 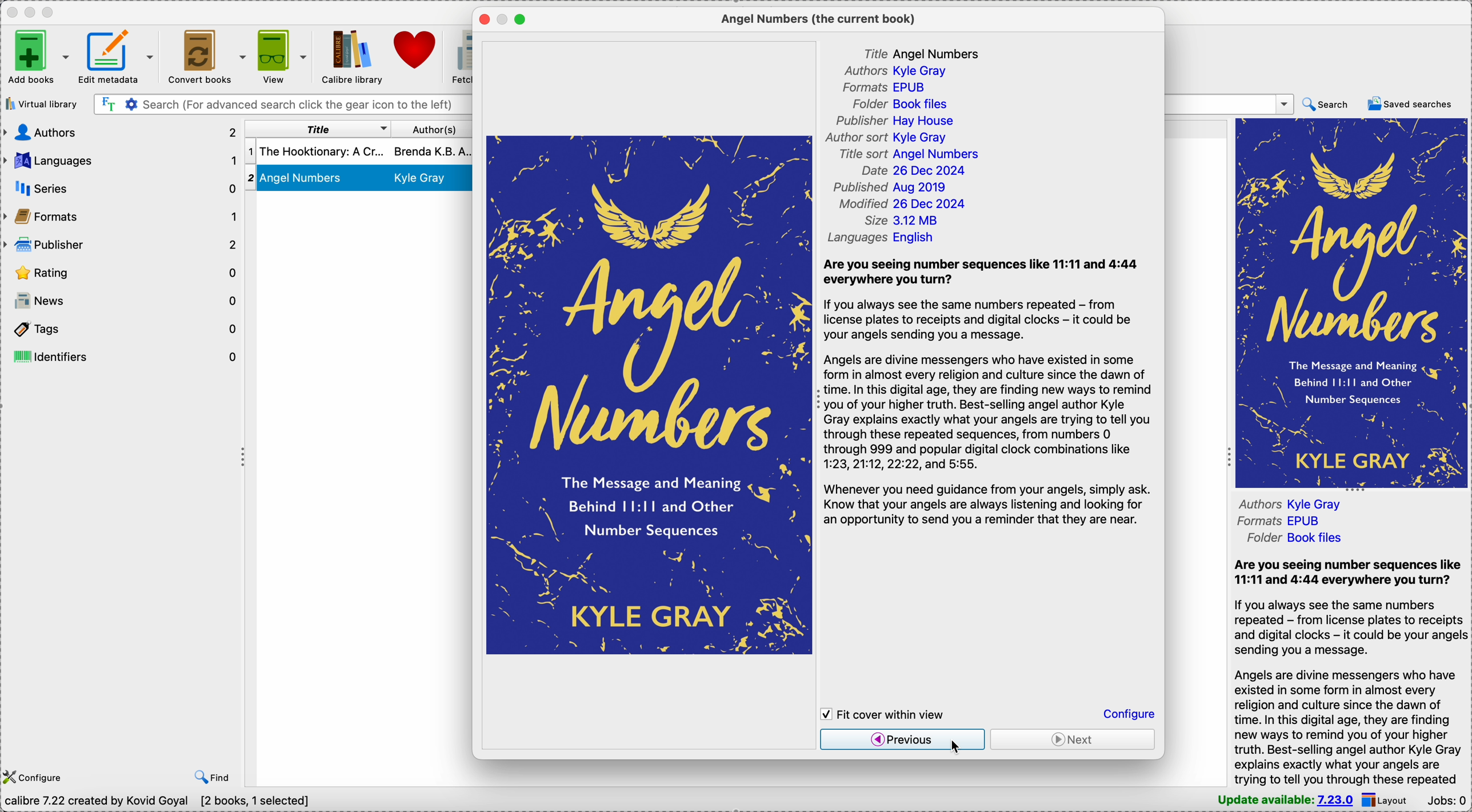 What do you see at coordinates (37, 778) in the screenshot?
I see `configure` at bounding box center [37, 778].